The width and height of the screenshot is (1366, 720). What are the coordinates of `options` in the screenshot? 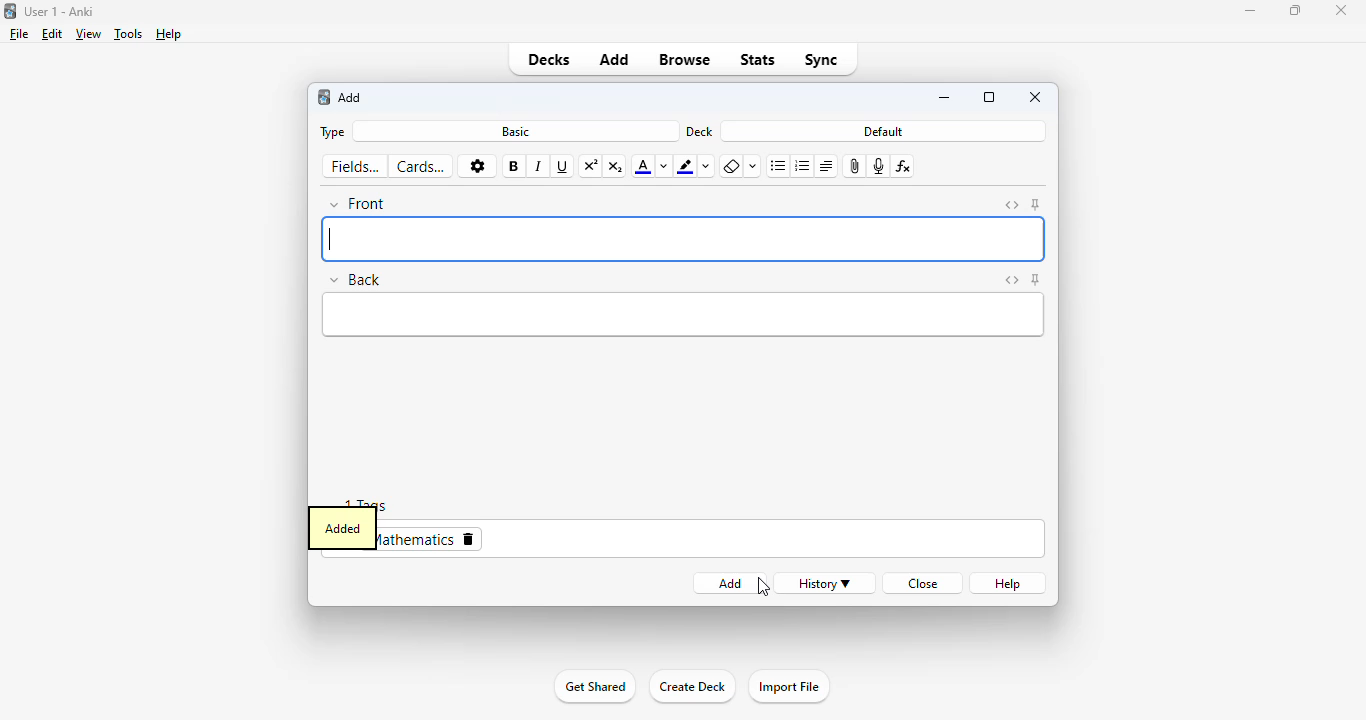 It's located at (477, 167).